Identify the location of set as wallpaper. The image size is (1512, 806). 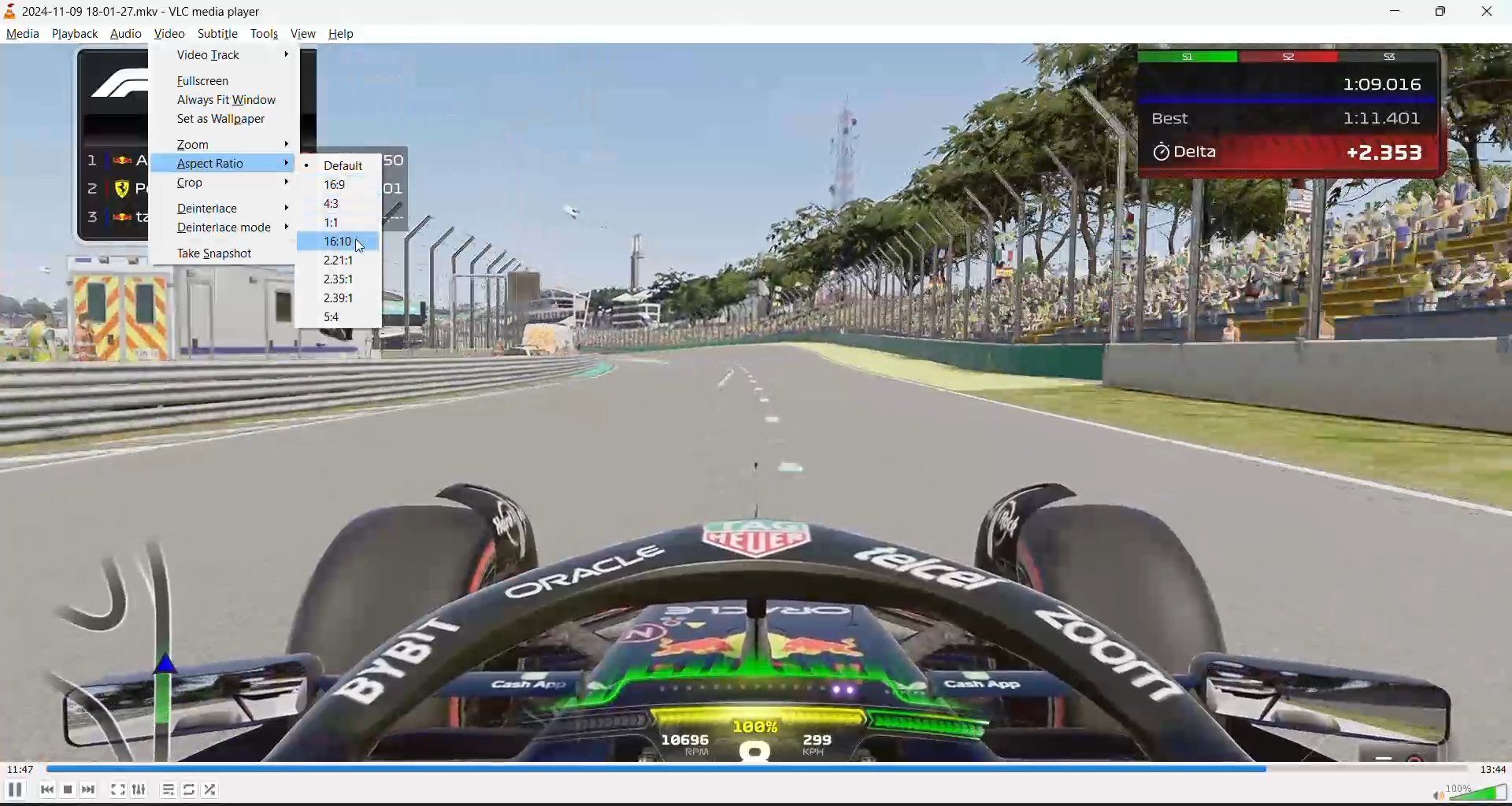
(227, 120).